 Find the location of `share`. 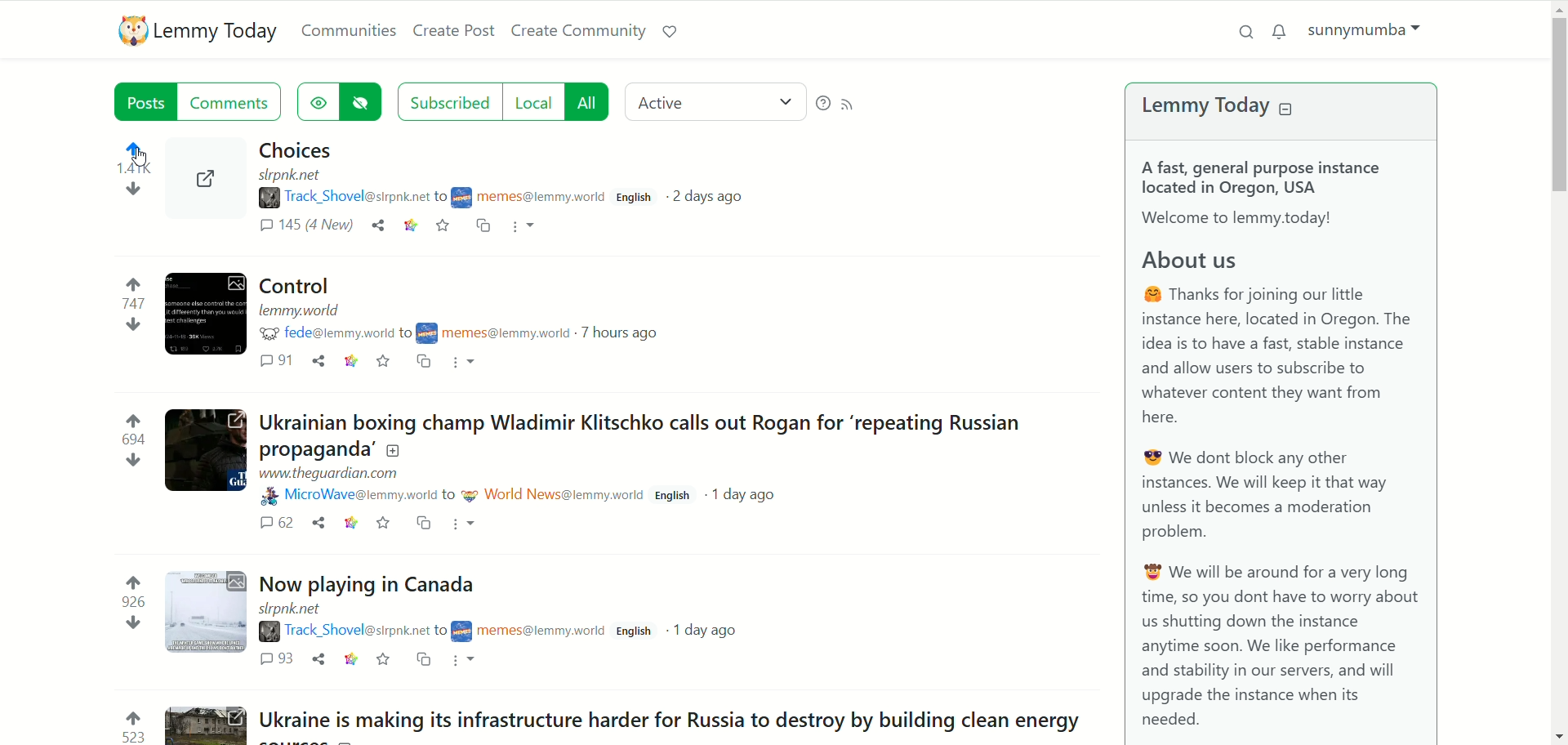

share is located at coordinates (323, 523).